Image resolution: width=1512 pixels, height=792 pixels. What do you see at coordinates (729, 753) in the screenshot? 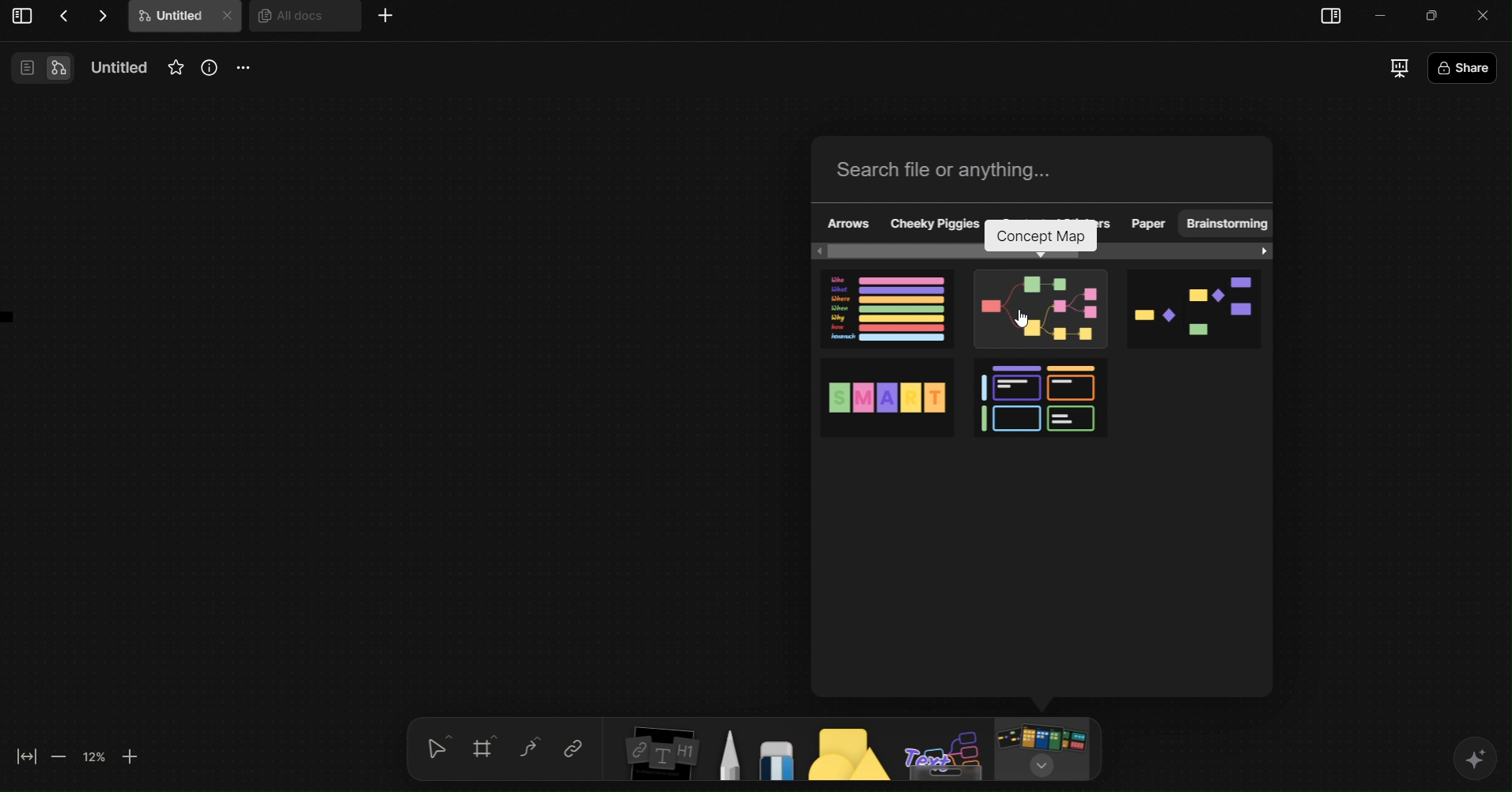
I see `Pen Tool` at bounding box center [729, 753].